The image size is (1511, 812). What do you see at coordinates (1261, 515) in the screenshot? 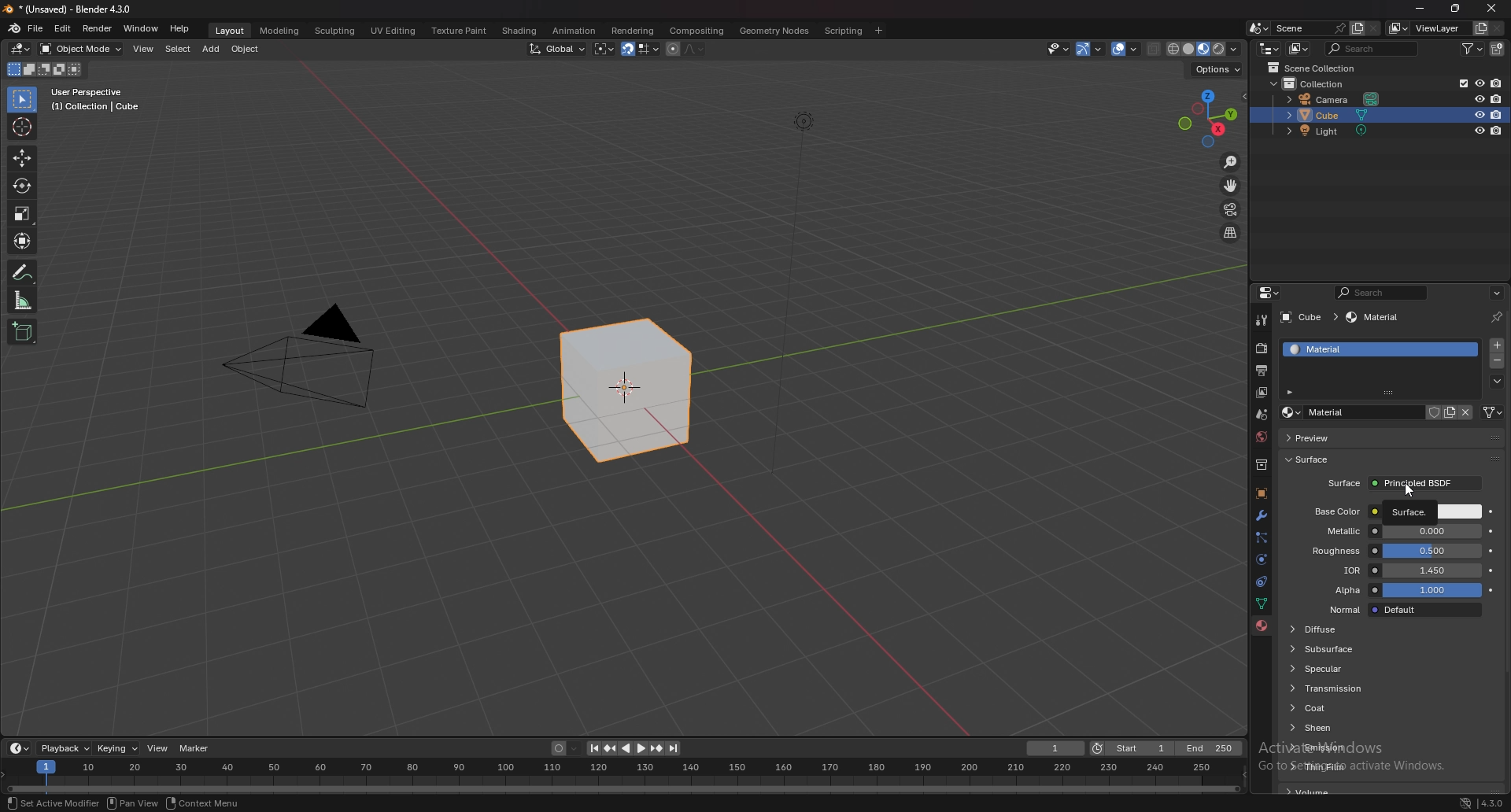
I see `modifier` at bounding box center [1261, 515].